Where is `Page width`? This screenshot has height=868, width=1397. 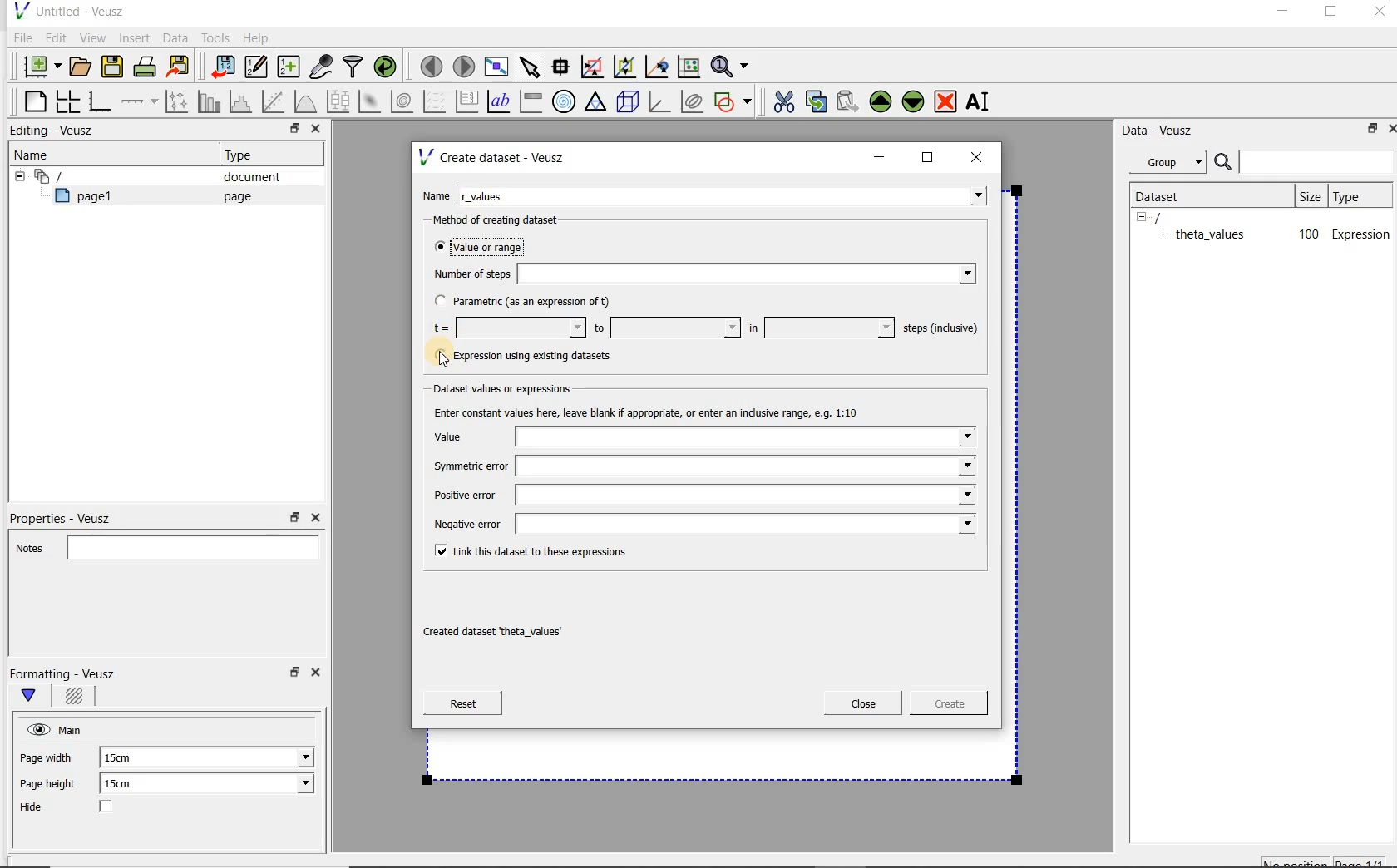
Page width is located at coordinates (47, 755).